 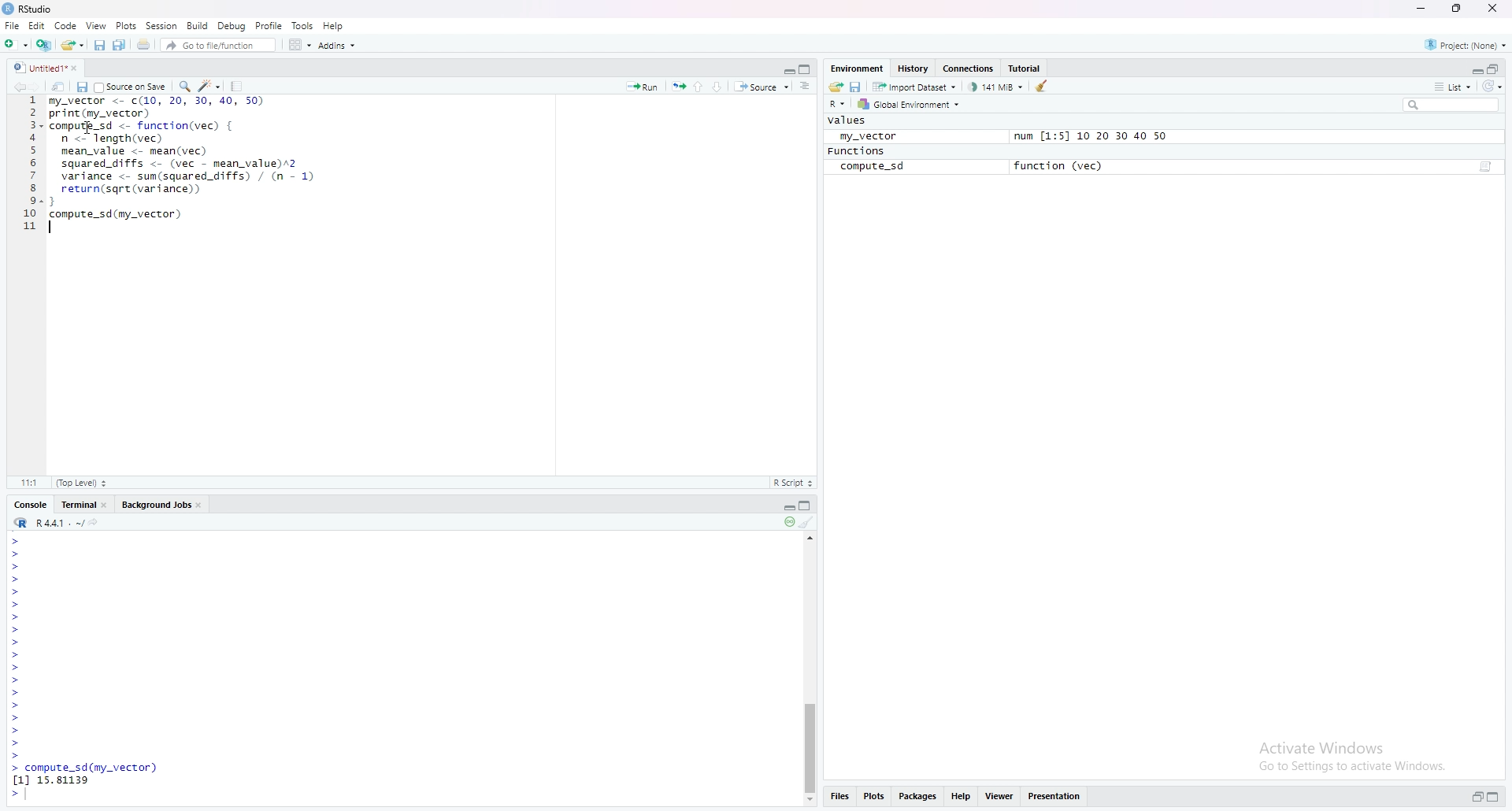 I want to click on prompt cursor, so click(x=15, y=629).